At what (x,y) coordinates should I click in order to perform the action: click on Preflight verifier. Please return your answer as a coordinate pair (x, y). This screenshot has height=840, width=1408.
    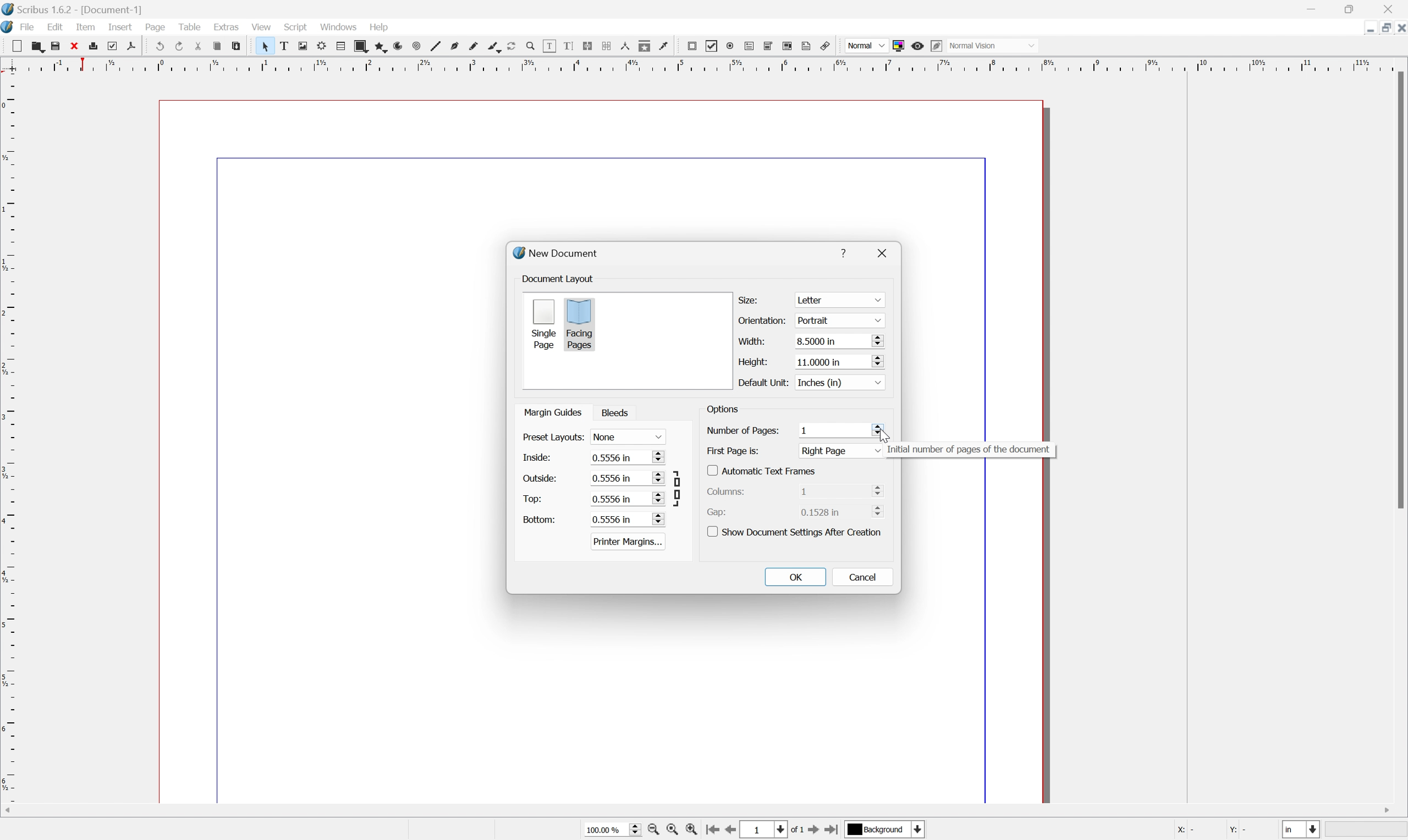
    Looking at the image, I should click on (117, 46).